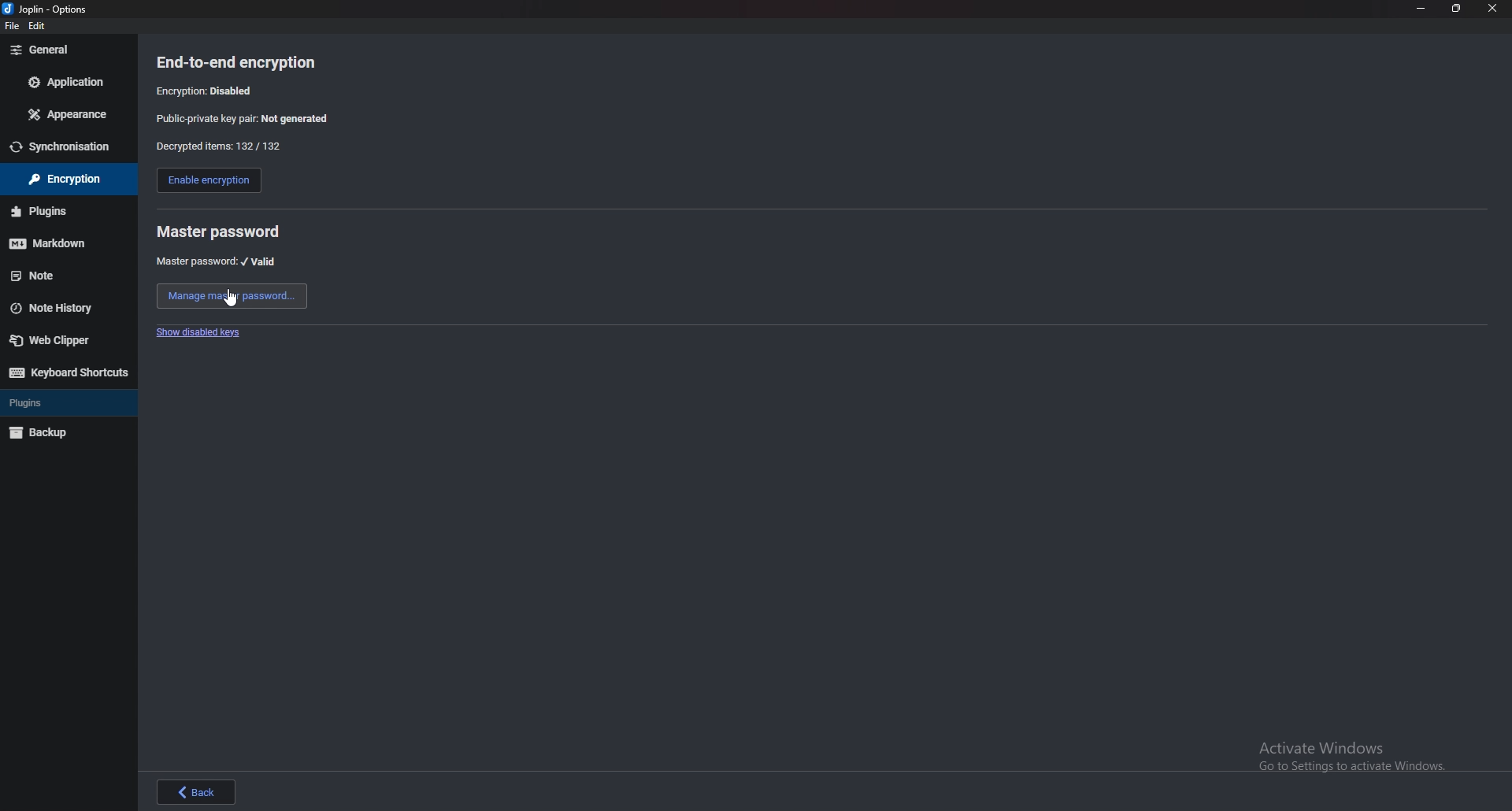 Image resolution: width=1512 pixels, height=811 pixels. I want to click on manage master password, so click(232, 296).